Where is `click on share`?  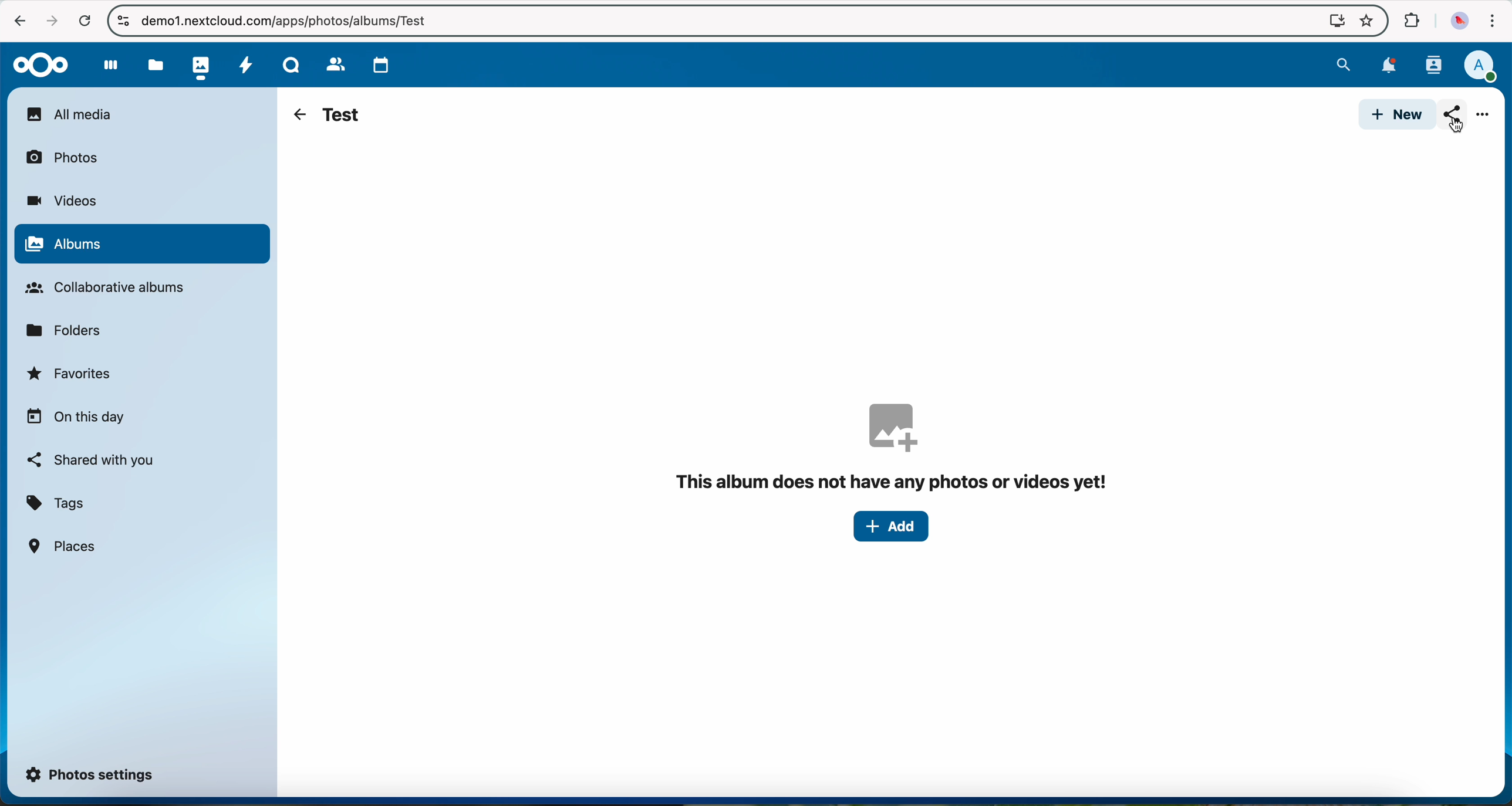
click on share is located at coordinates (1455, 118).